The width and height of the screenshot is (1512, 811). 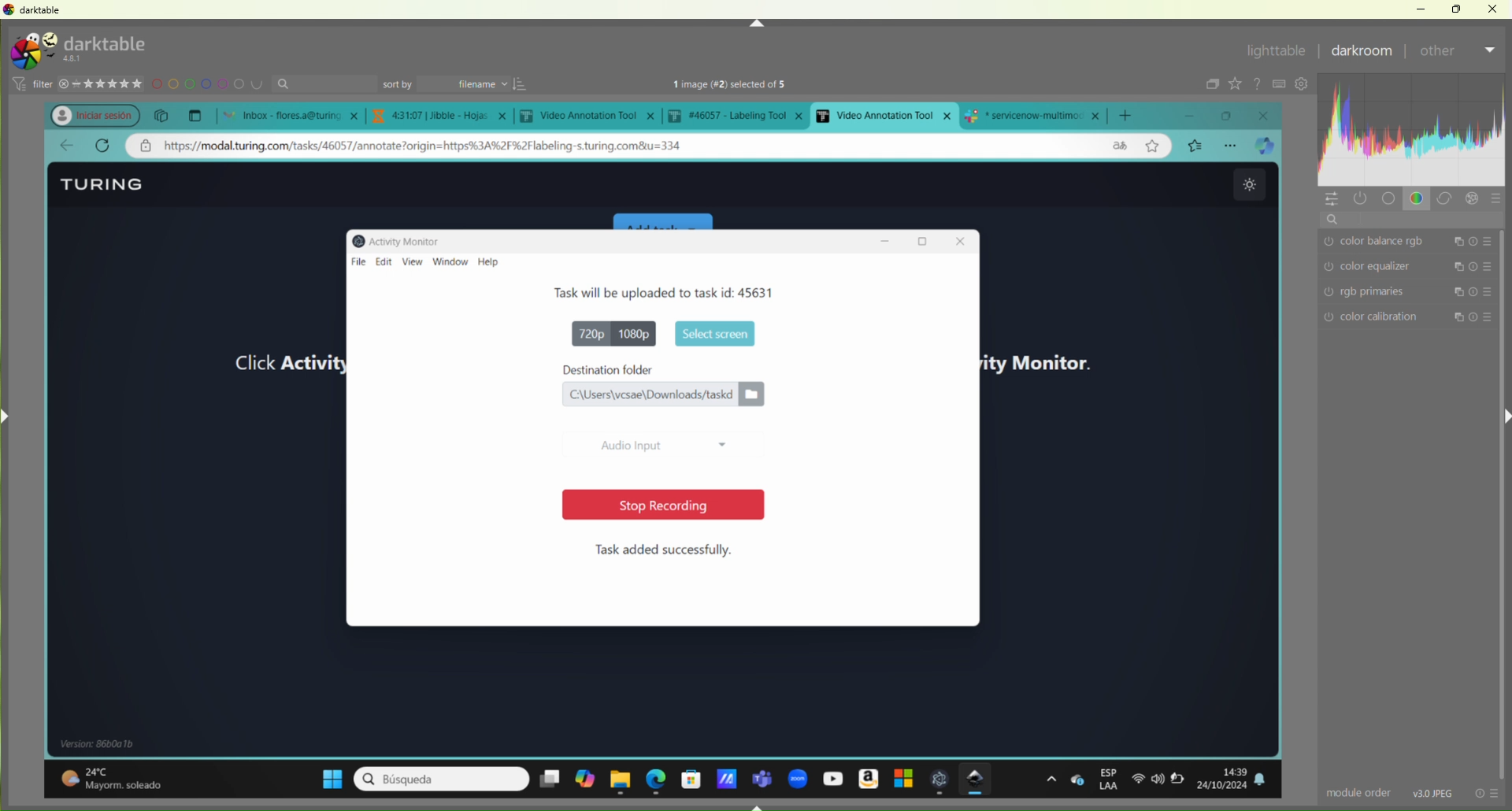 What do you see at coordinates (664, 369) in the screenshot?
I see `destination folder` at bounding box center [664, 369].